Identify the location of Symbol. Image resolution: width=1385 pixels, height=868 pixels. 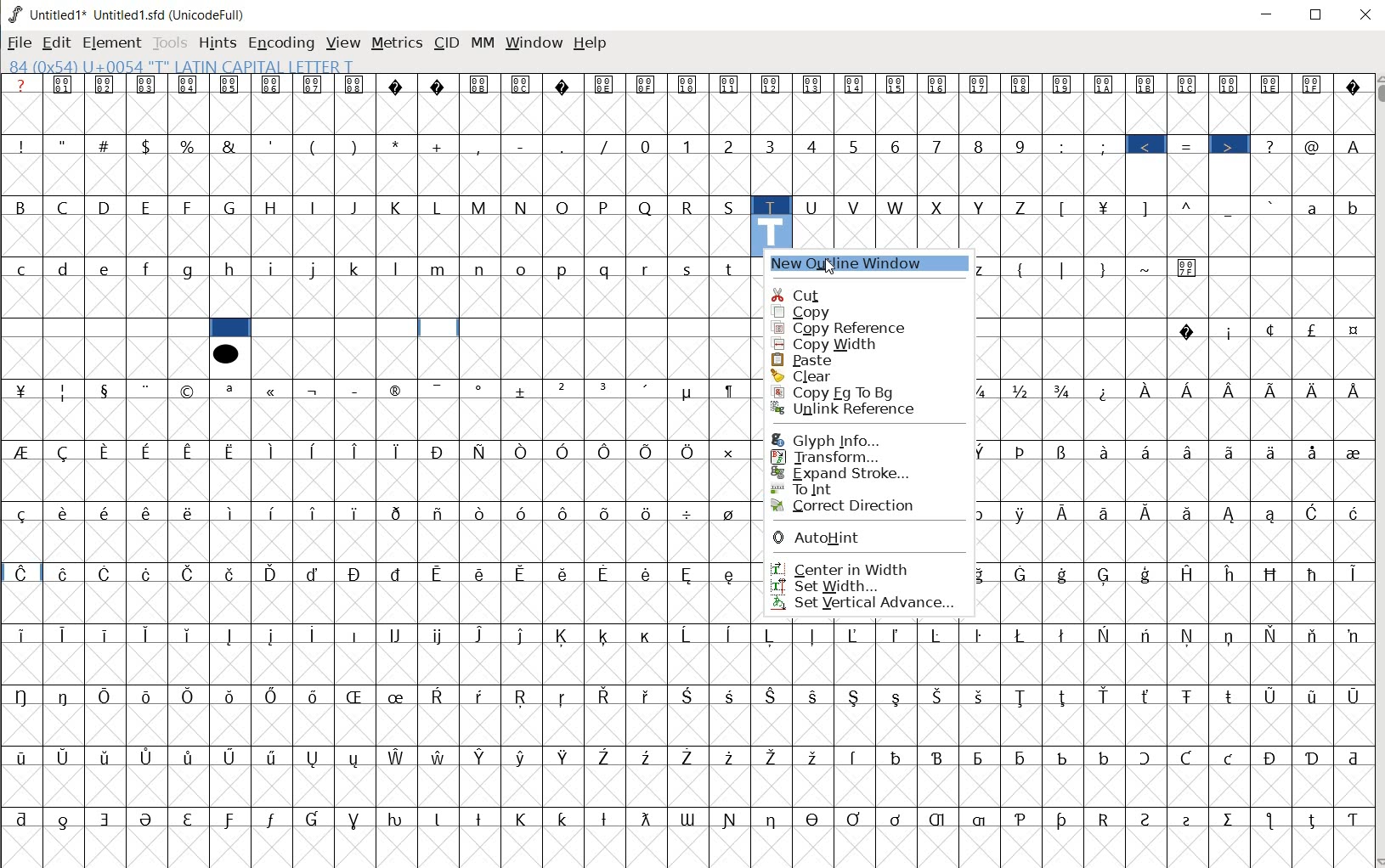
(480, 389).